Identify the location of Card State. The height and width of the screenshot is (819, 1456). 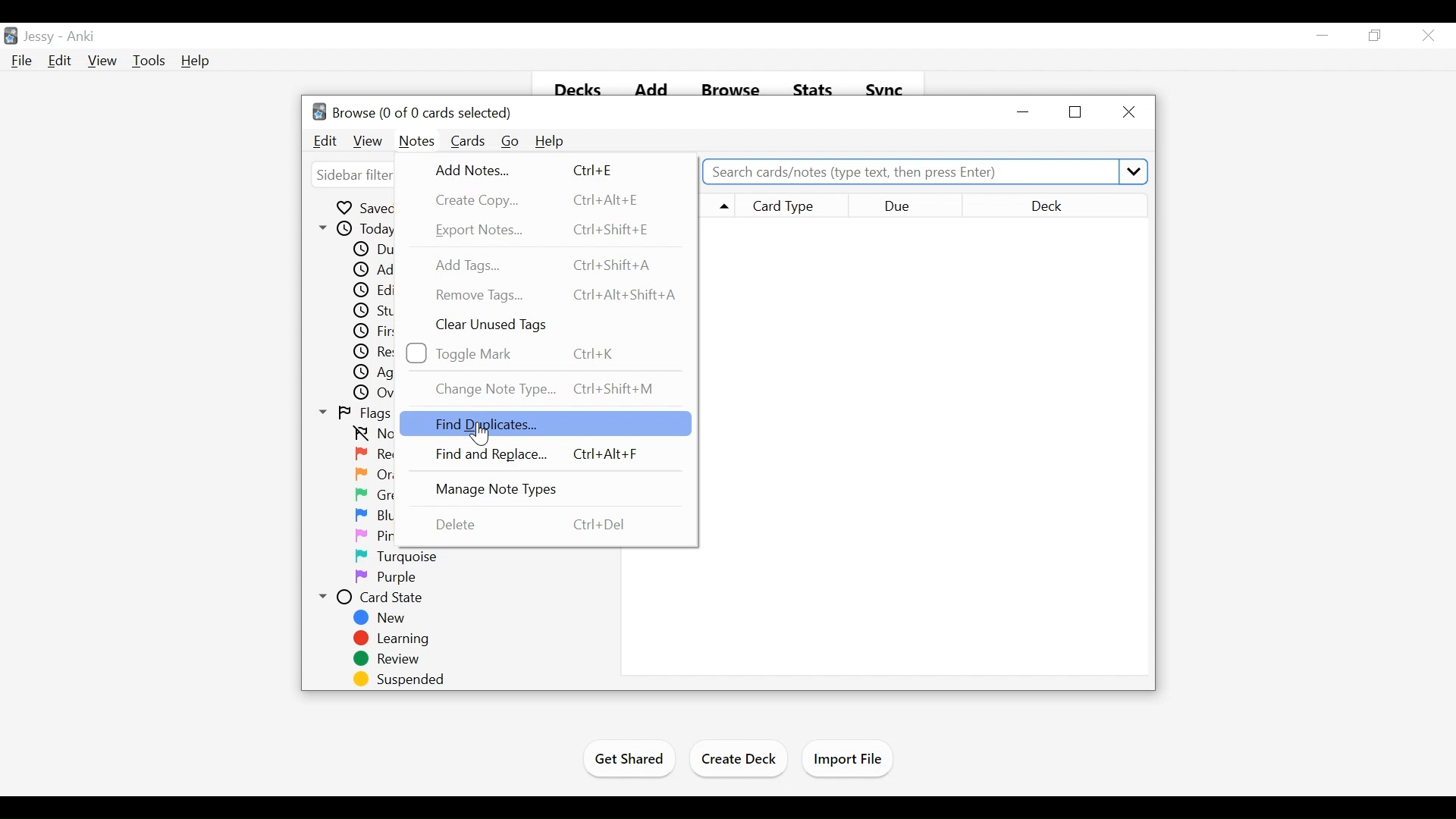
(377, 598).